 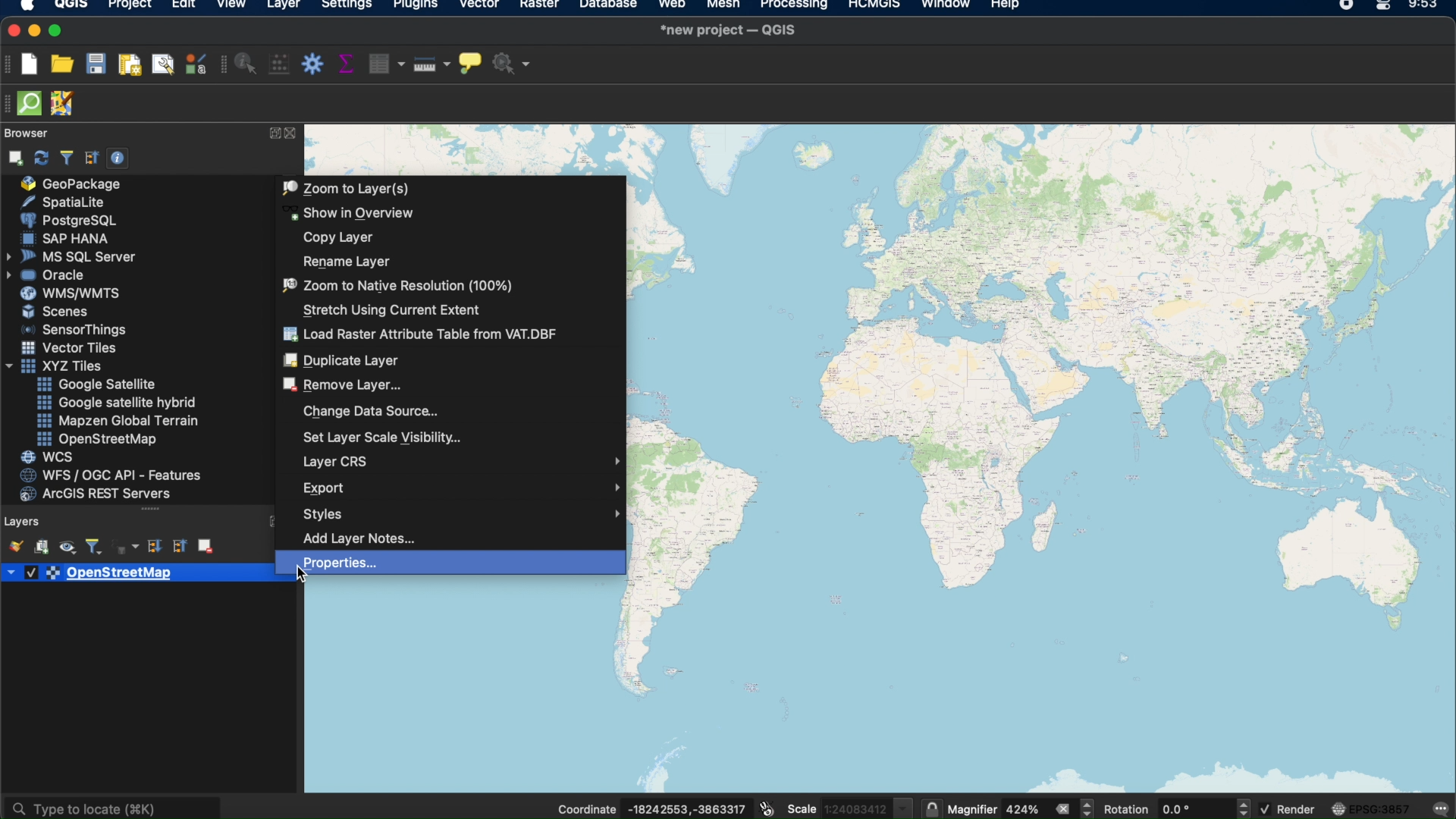 What do you see at coordinates (129, 66) in the screenshot?
I see `new paint layout` at bounding box center [129, 66].